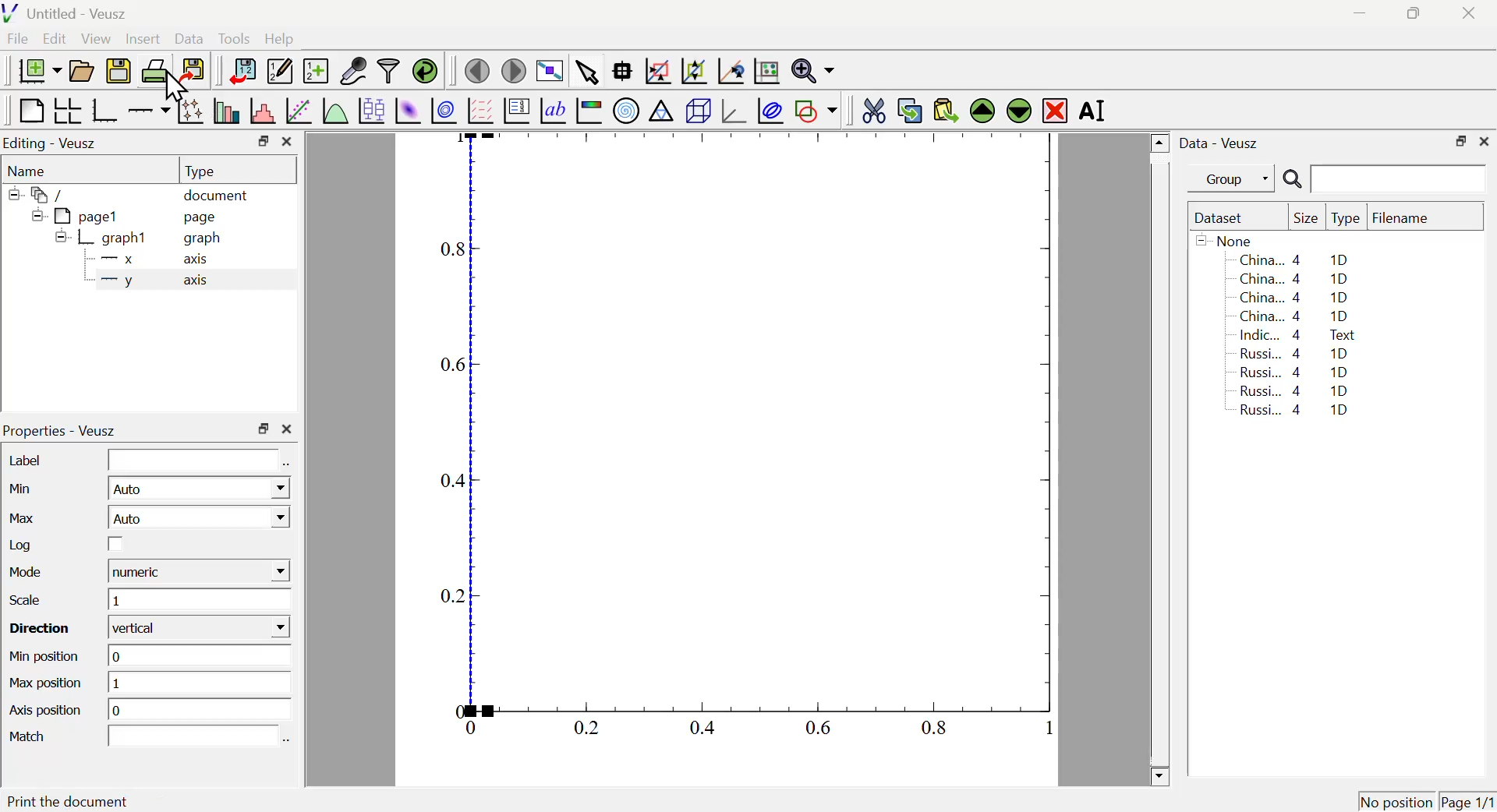 Image resolution: width=1497 pixels, height=812 pixels. Describe the element at coordinates (816, 110) in the screenshot. I see `Add a shape` at that location.